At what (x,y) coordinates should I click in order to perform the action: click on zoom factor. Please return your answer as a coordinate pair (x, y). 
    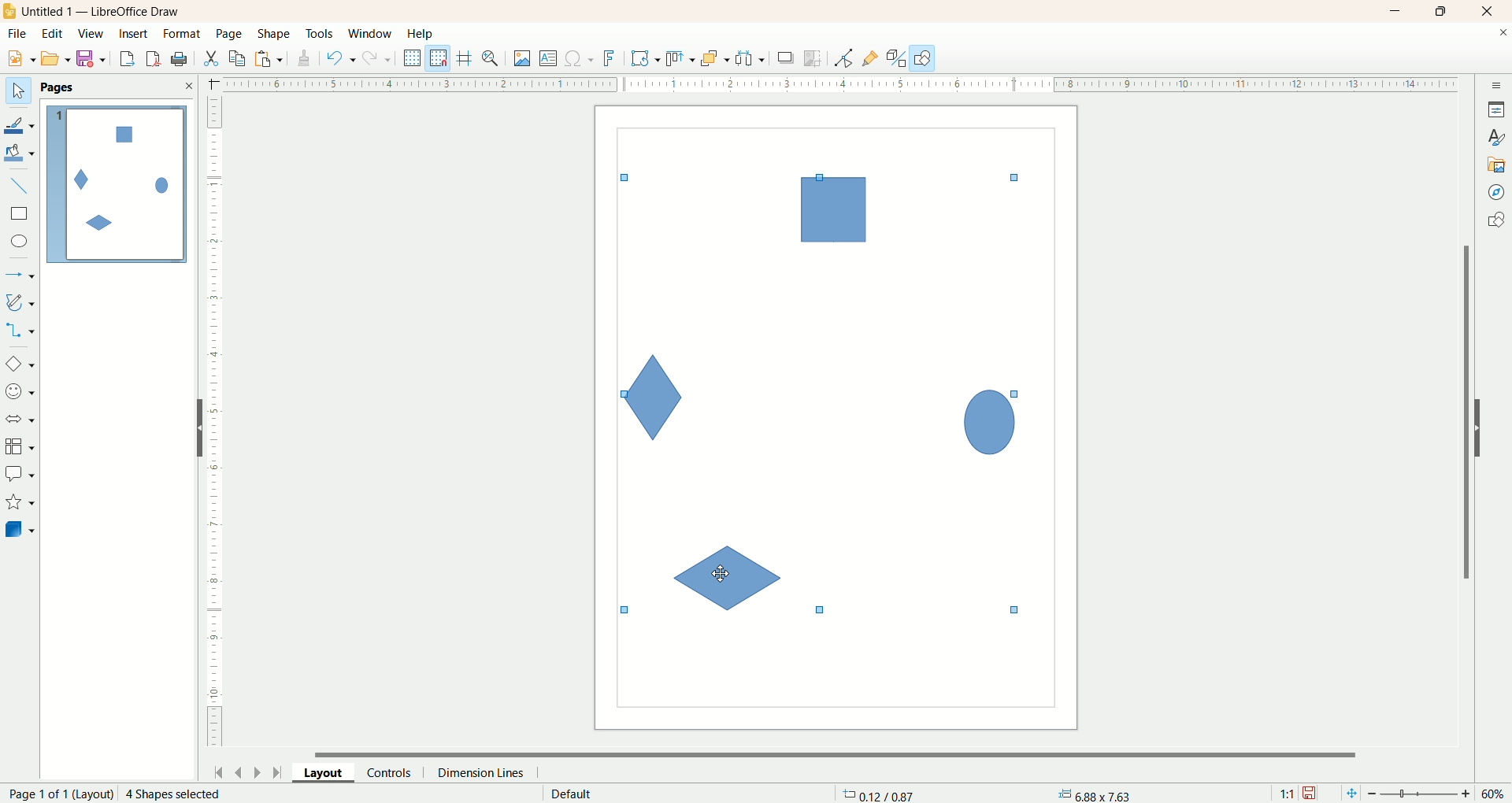
    Looking at the image, I should click on (1421, 794).